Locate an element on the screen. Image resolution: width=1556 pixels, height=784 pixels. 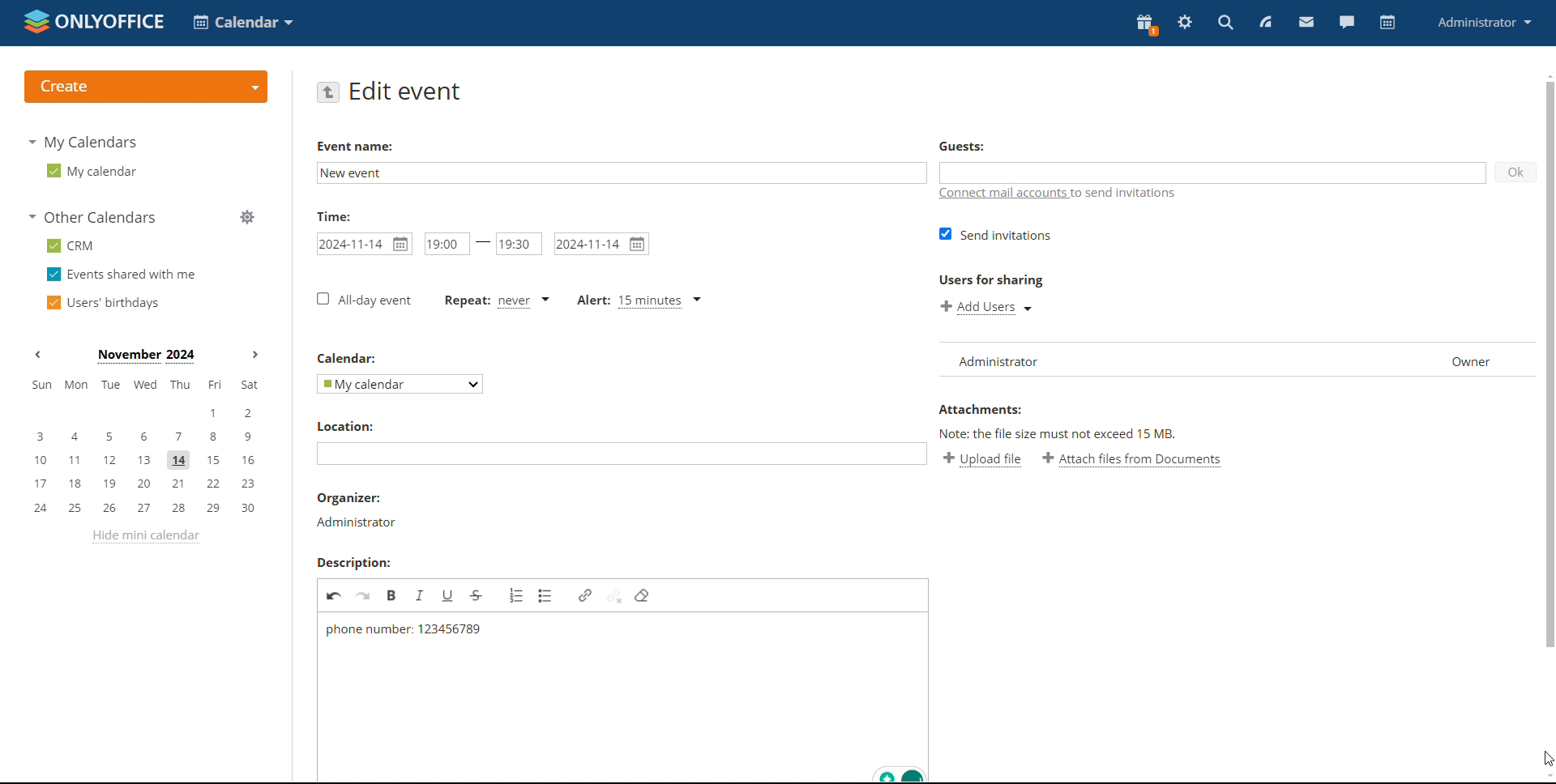
end time is located at coordinates (519, 245).